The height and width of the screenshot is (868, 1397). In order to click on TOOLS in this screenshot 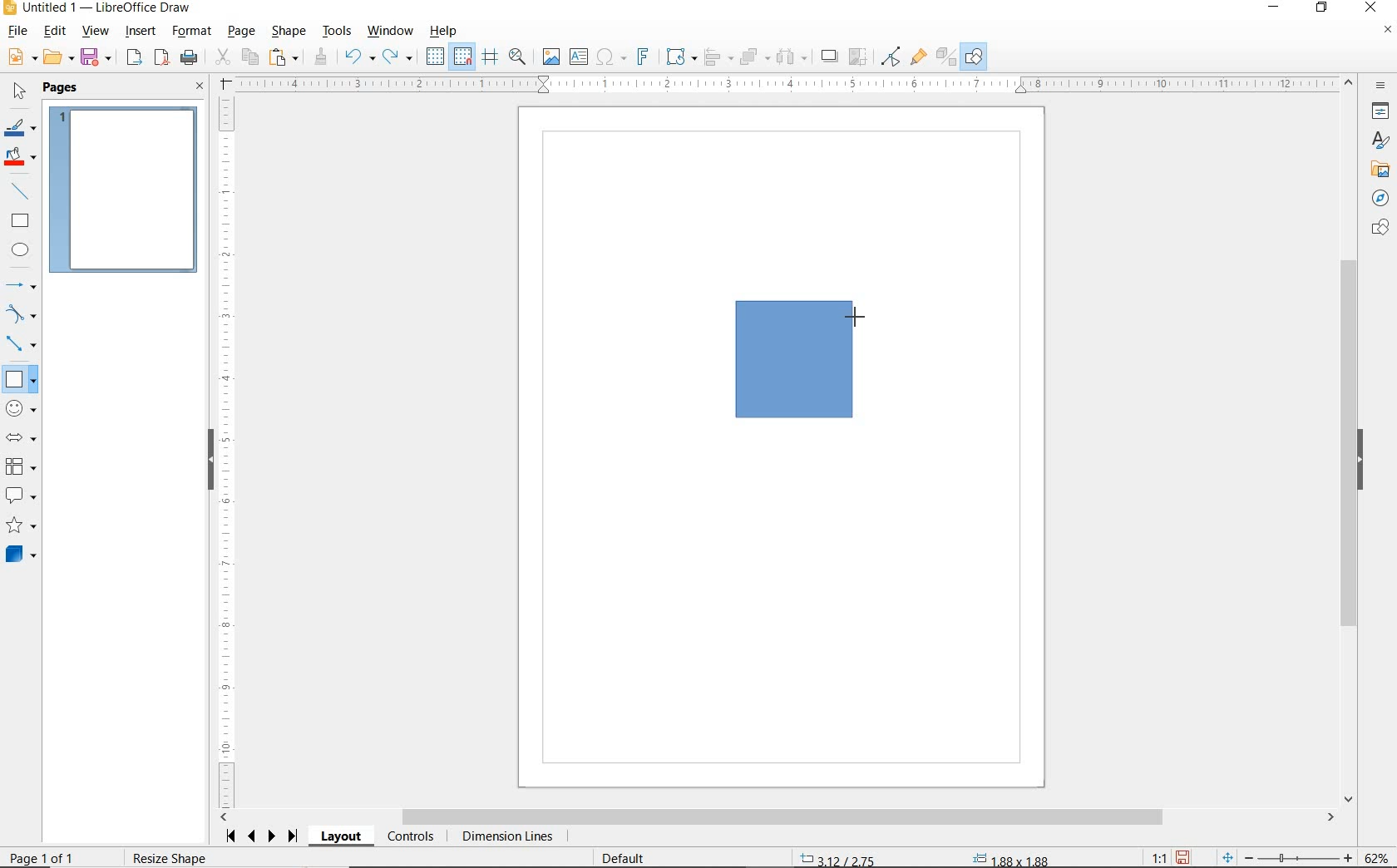, I will do `click(338, 32)`.